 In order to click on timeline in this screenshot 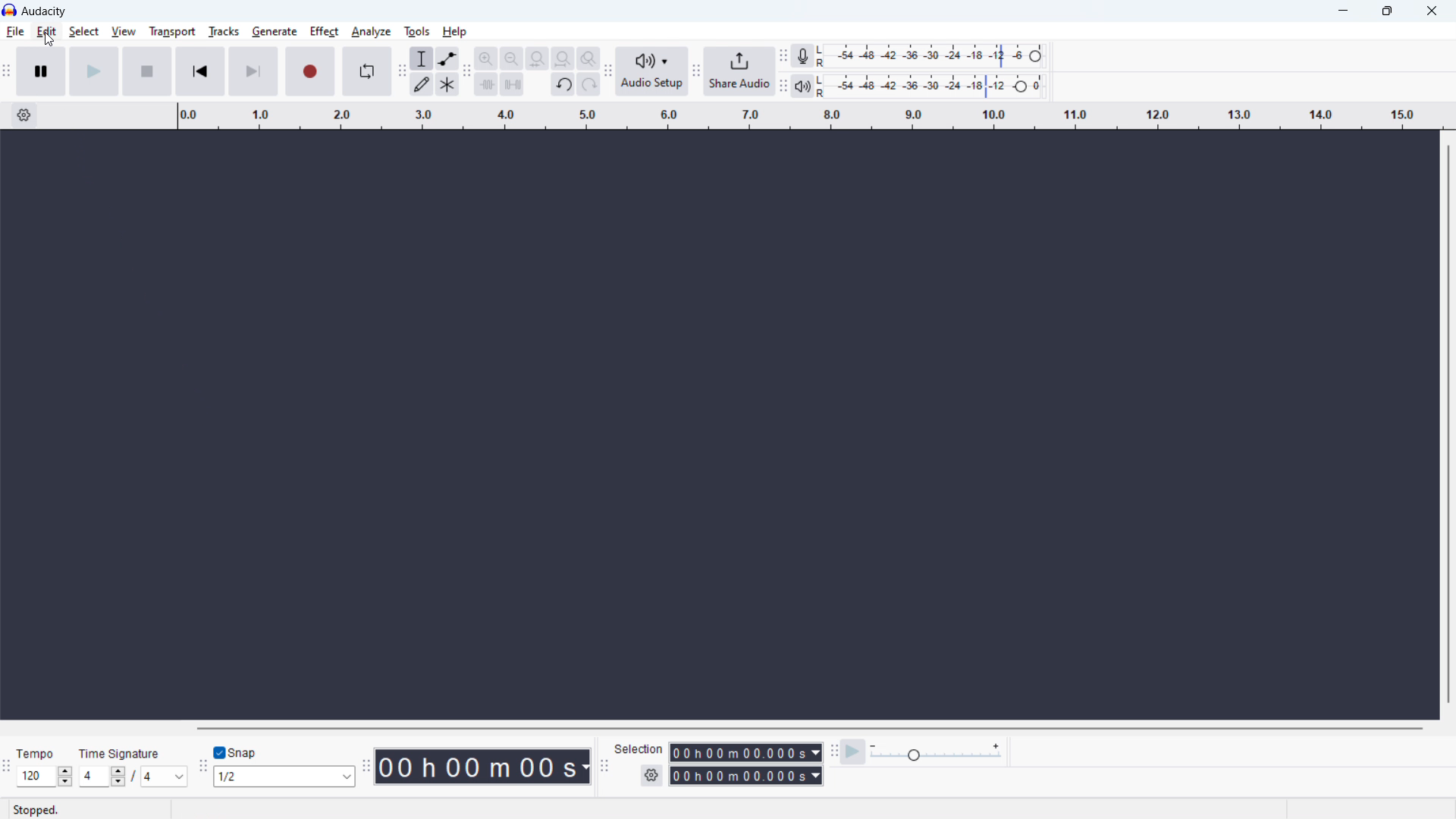, I will do `click(816, 117)`.